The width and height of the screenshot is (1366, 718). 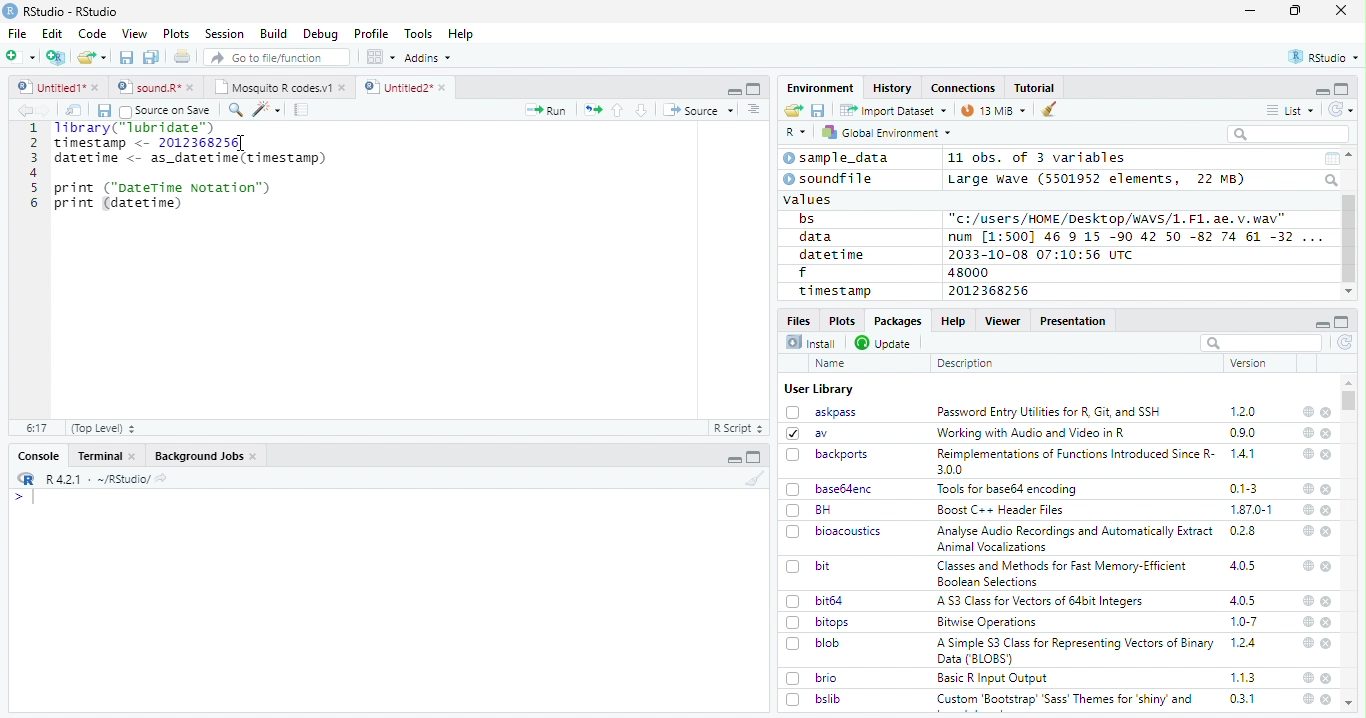 I want to click on 1.2.0, so click(x=1245, y=411).